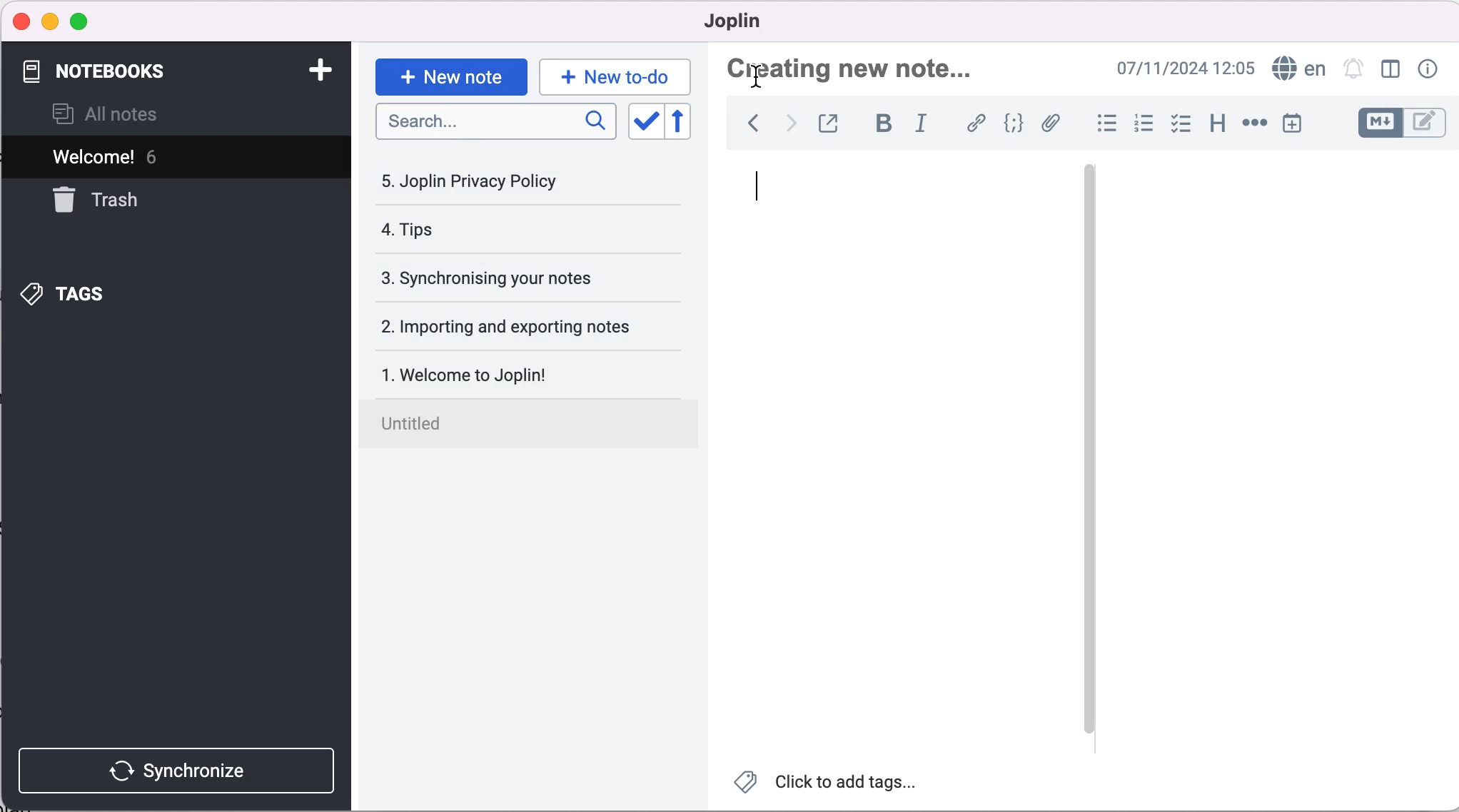  I want to click on toggle sort order, so click(645, 122).